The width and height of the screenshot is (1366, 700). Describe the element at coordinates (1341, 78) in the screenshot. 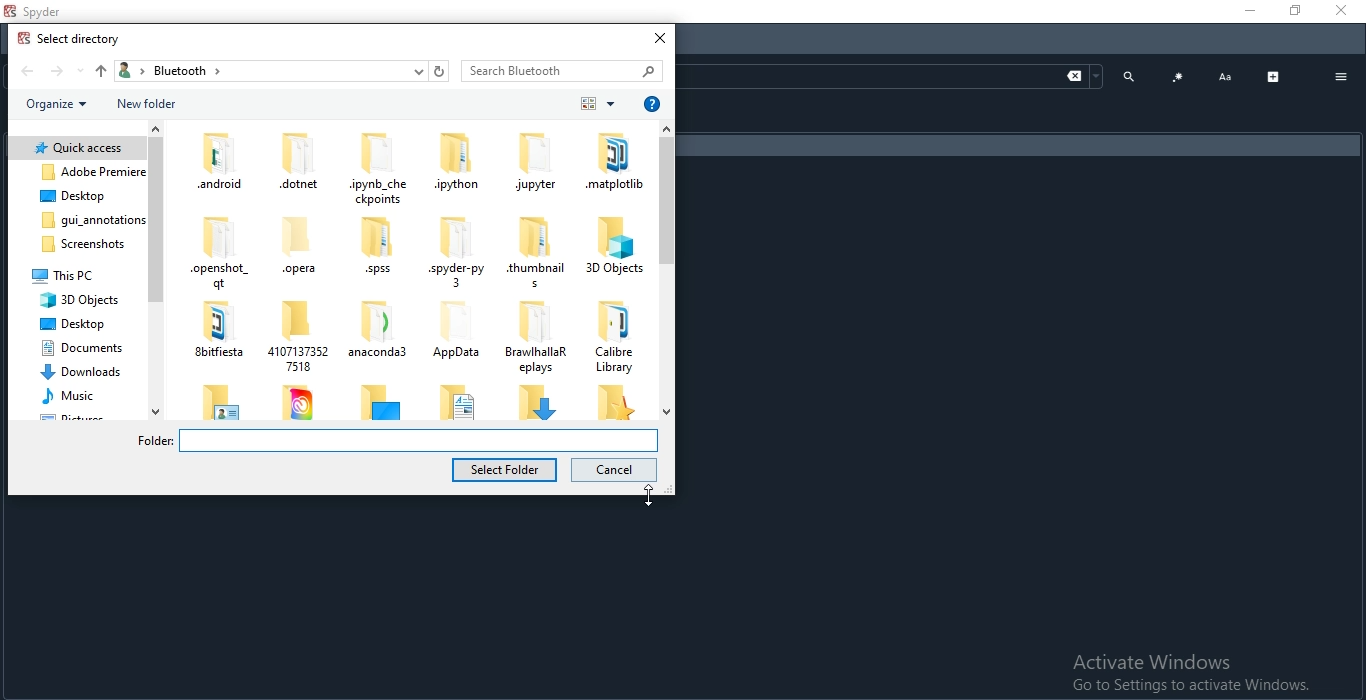

I see `options` at that location.